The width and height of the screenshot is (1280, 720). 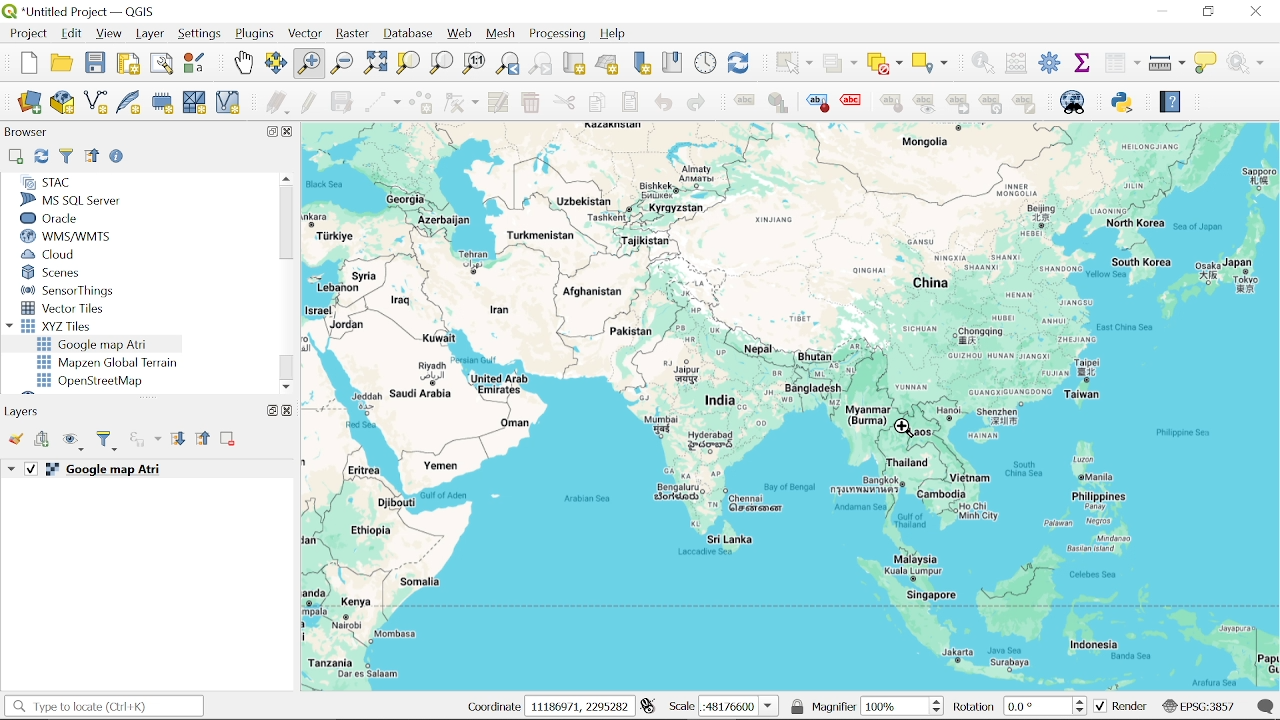 What do you see at coordinates (673, 62) in the screenshot?
I see `Show special bookmark` at bounding box center [673, 62].